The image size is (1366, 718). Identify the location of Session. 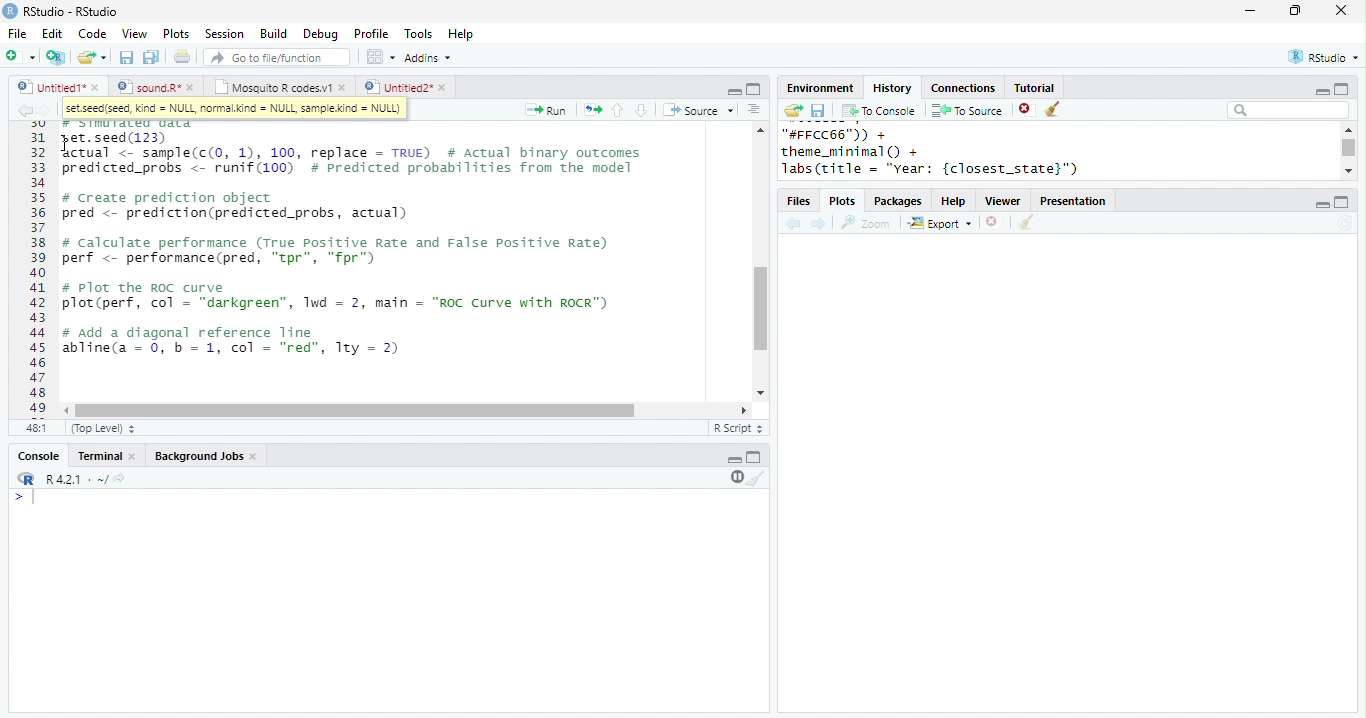
(224, 34).